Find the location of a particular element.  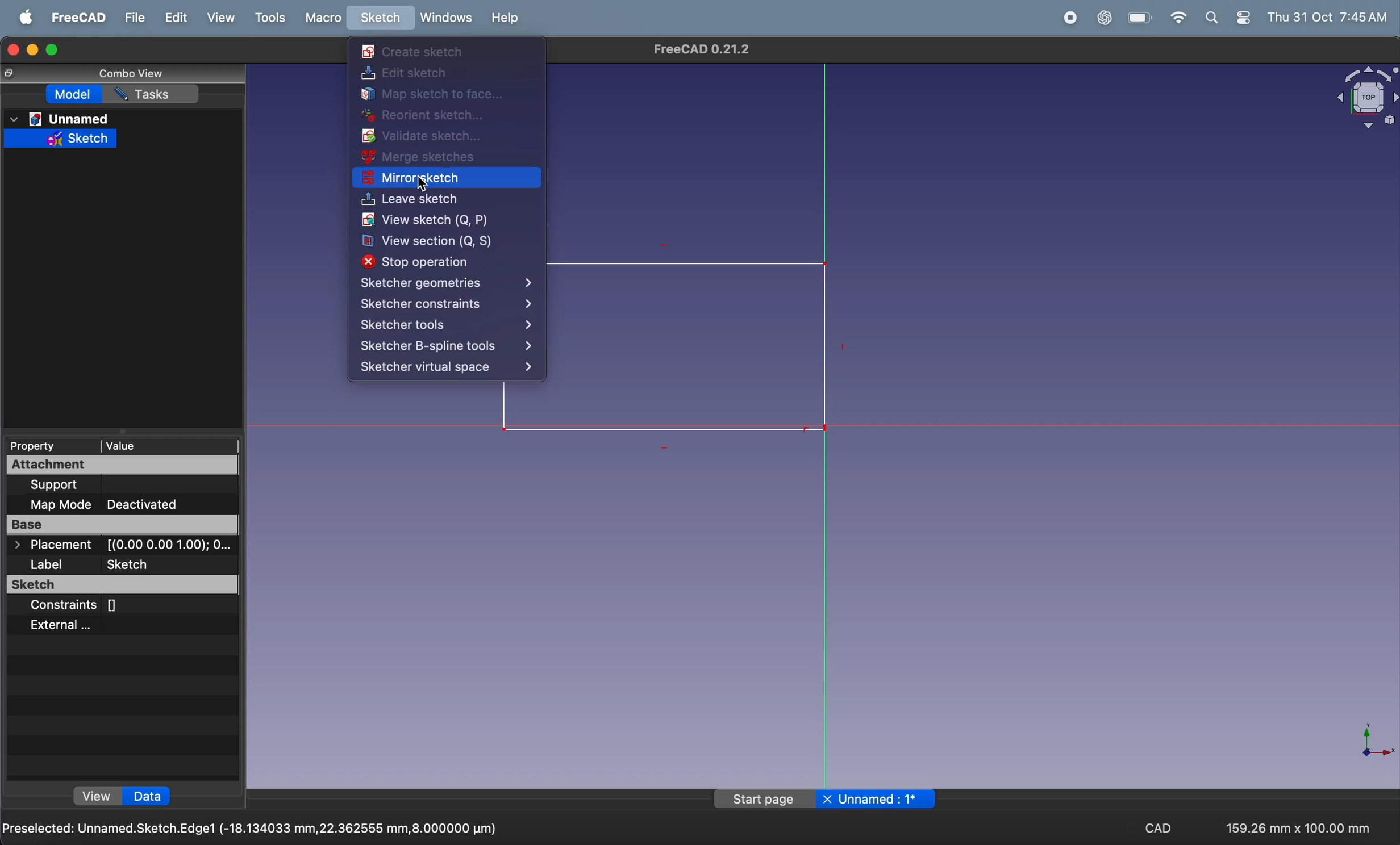

task is located at coordinates (157, 95).